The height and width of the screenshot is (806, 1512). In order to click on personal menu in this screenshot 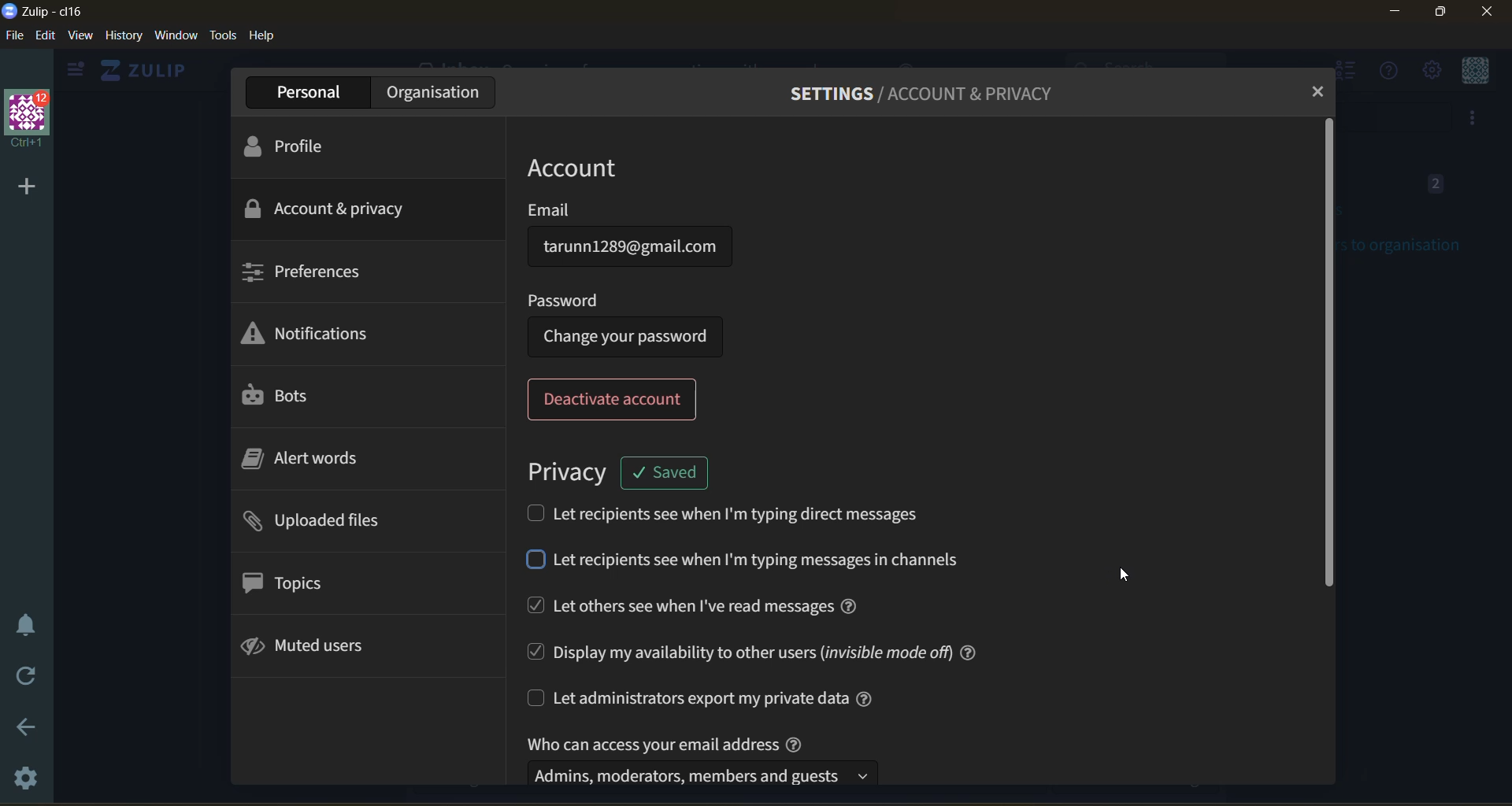, I will do `click(1472, 72)`.